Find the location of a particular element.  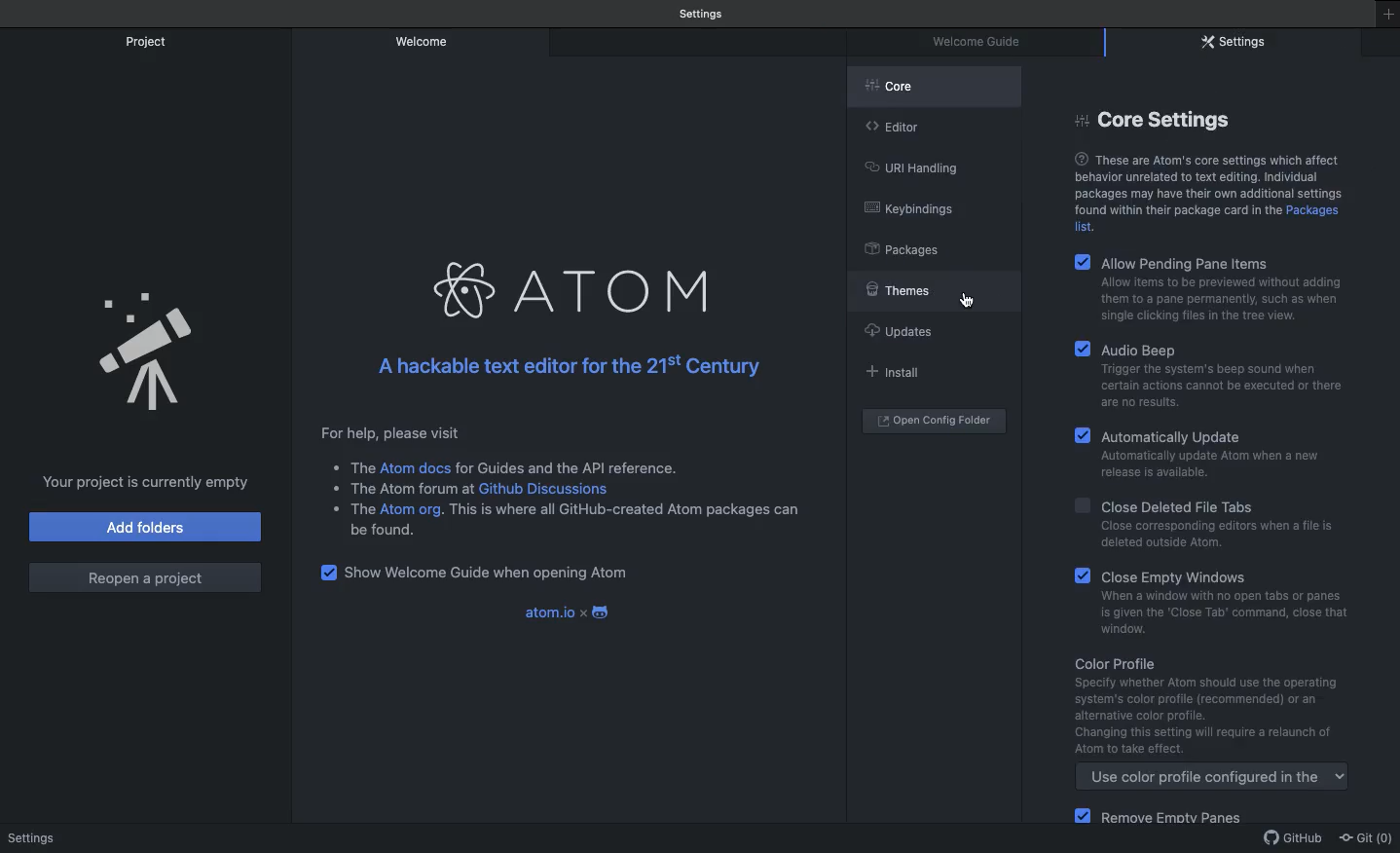

Color profile  is located at coordinates (1148, 664).